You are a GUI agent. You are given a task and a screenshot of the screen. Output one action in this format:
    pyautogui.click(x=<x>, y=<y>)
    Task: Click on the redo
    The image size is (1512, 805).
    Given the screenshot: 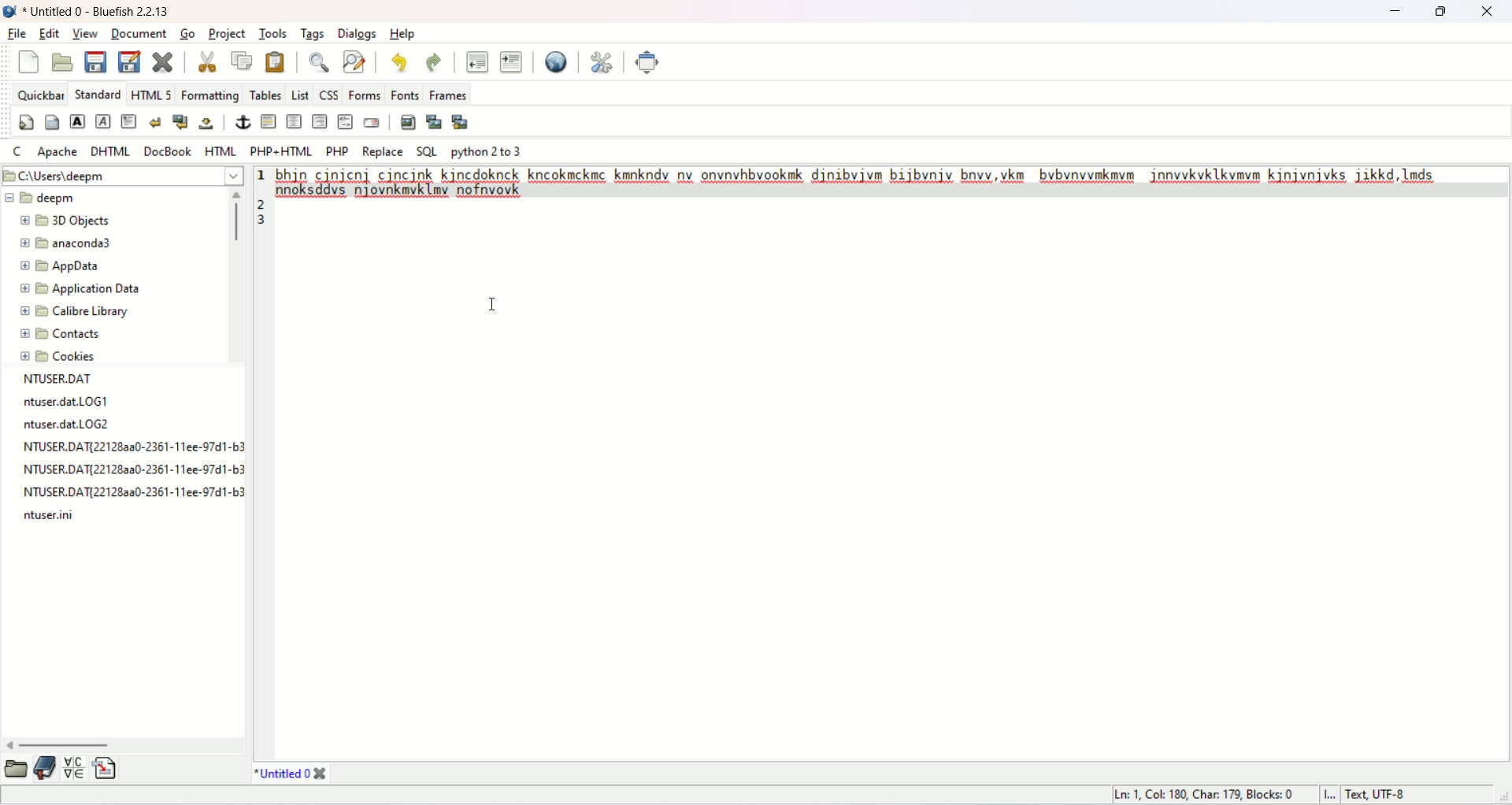 What is the action you would take?
    pyautogui.click(x=435, y=65)
    